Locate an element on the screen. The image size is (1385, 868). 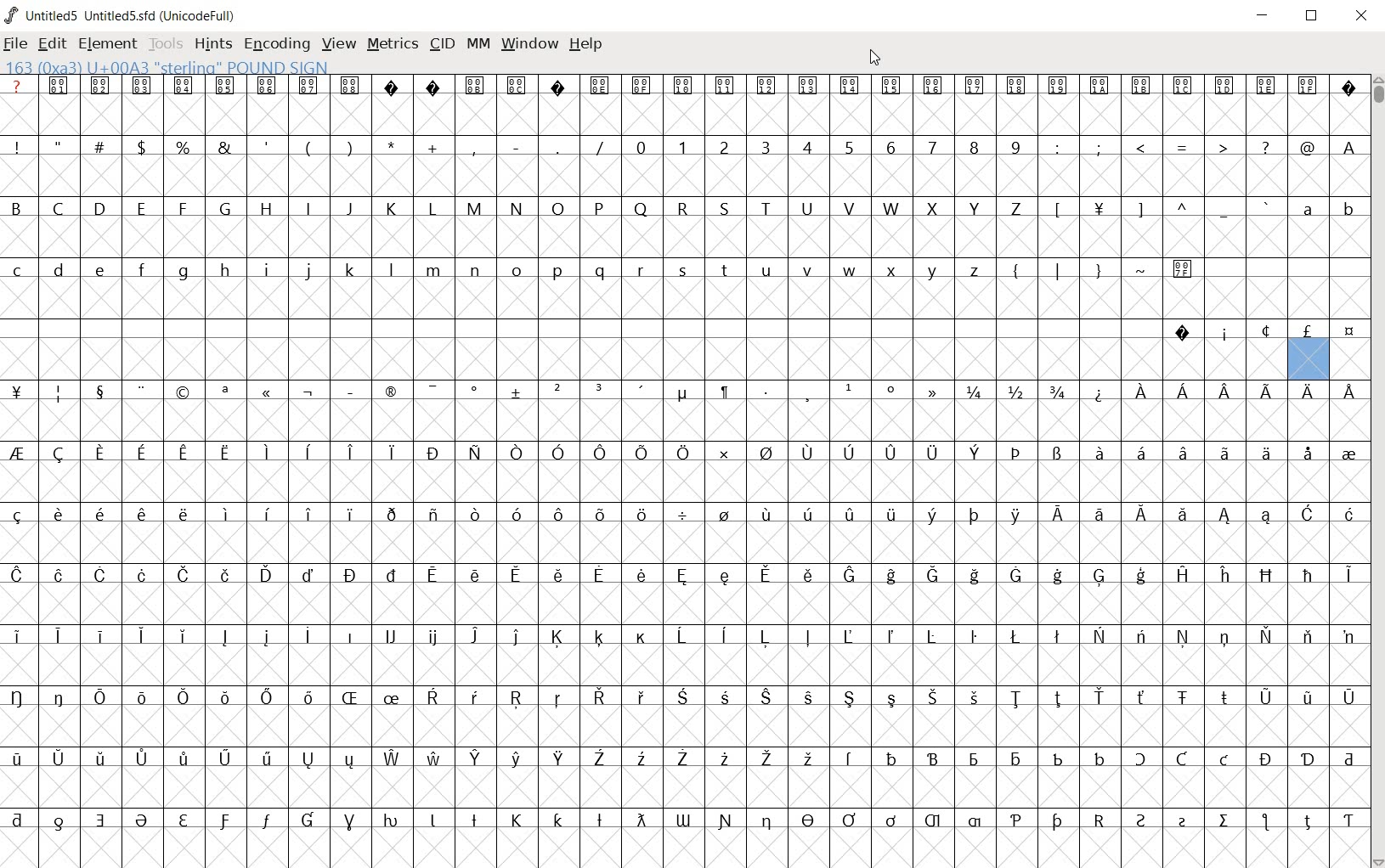
Symbol is located at coordinates (1348, 516).